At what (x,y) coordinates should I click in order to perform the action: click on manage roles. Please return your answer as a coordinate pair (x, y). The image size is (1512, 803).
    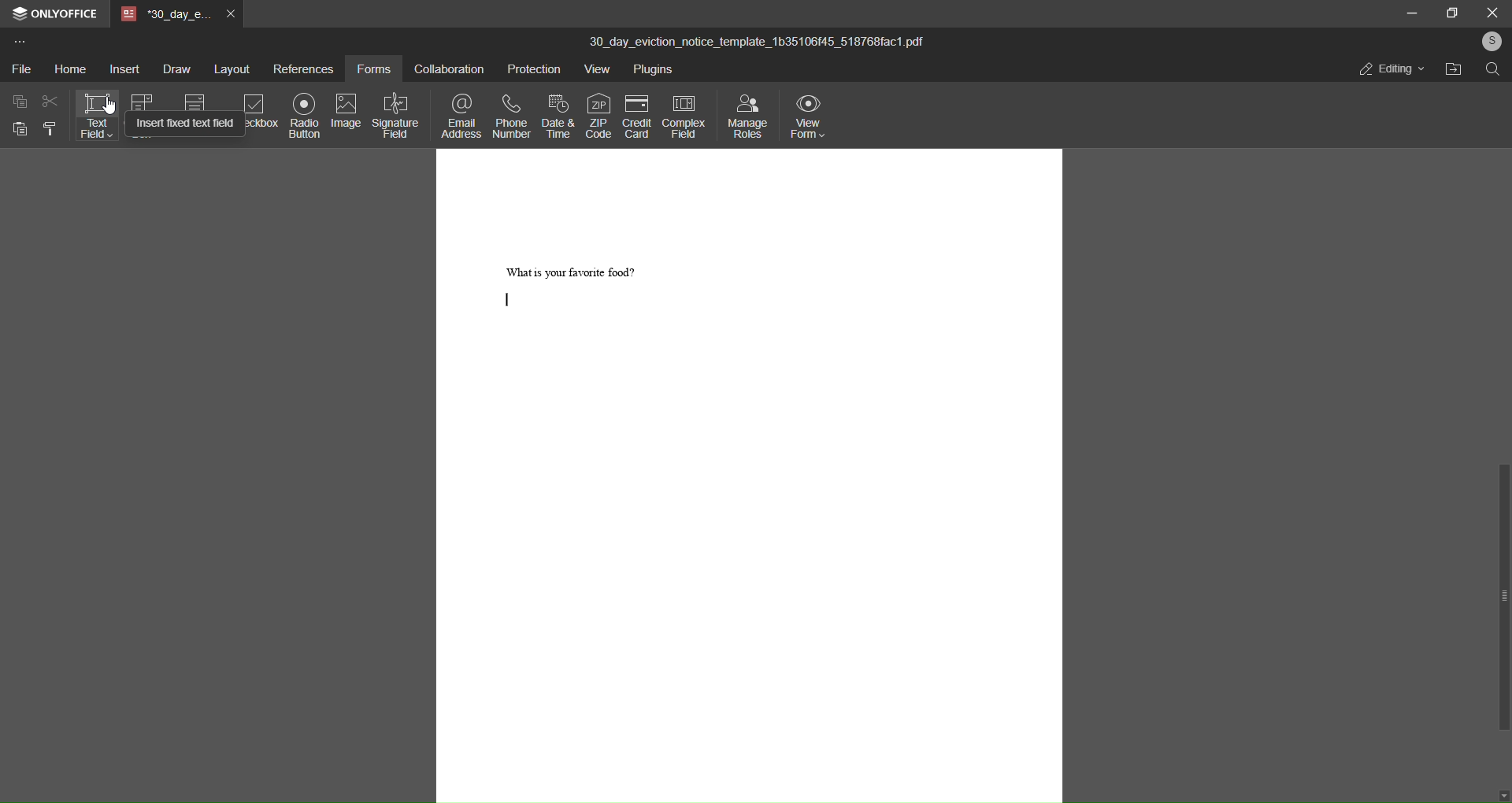
    Looking at the image, I should click on (745, 118).